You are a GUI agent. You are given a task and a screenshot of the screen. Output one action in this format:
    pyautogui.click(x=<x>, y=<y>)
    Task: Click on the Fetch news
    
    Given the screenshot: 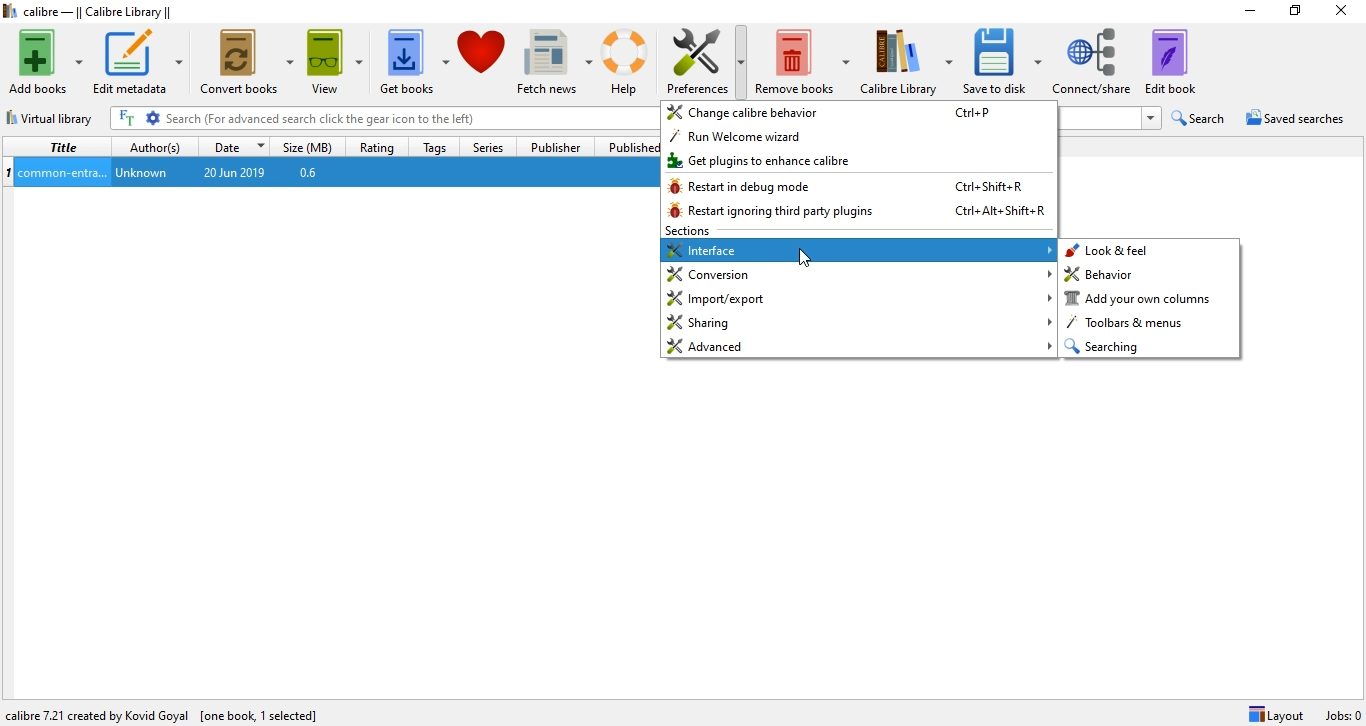 What is the action you would take?
    pyautogui.click(x=553, y=57)
    